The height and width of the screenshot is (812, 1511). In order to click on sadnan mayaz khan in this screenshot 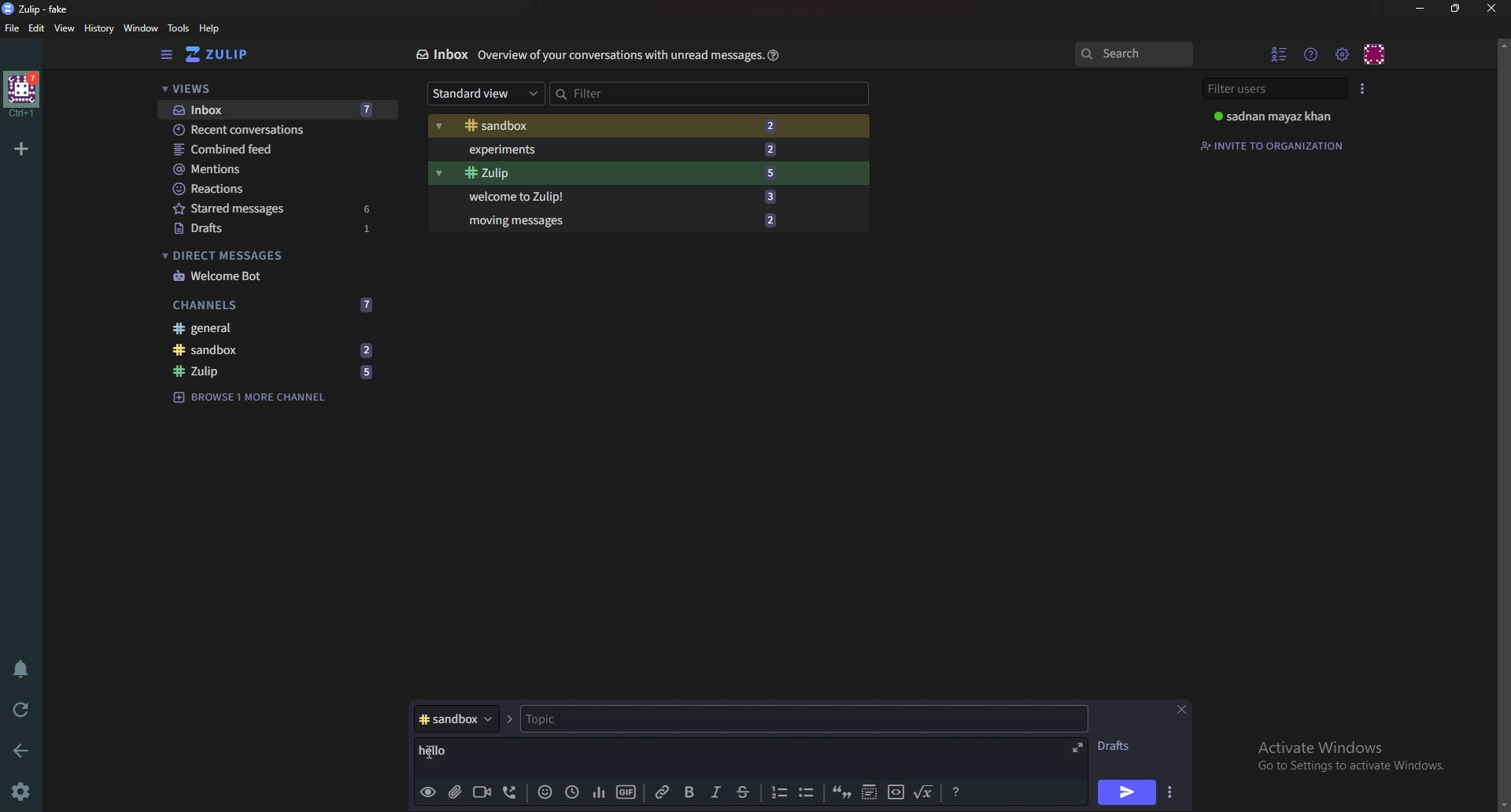, I will do `click(1280, 115)`.